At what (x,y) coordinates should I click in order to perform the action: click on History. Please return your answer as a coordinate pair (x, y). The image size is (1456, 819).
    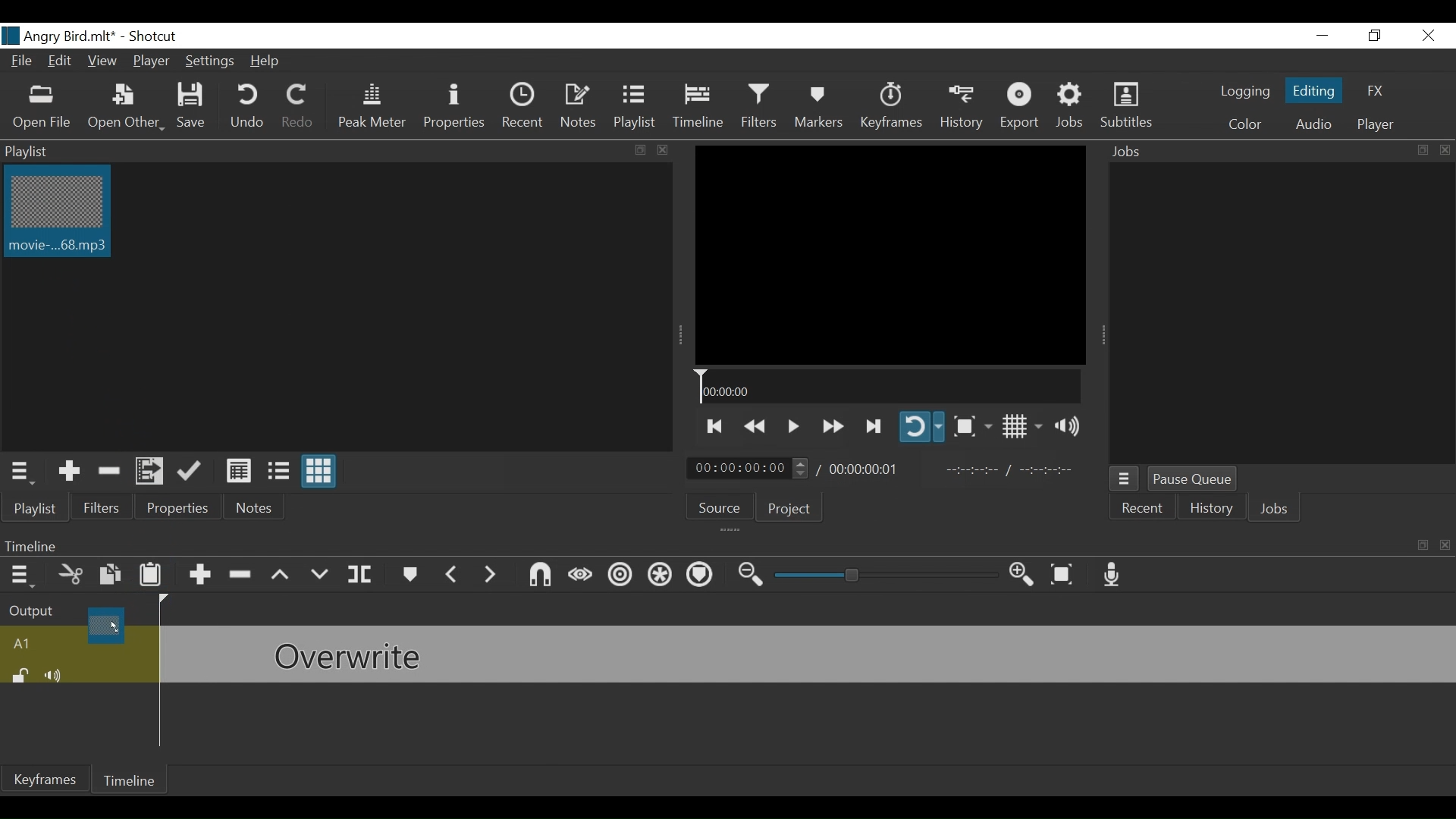
    Looking at the image, I should click on (1210, 510).